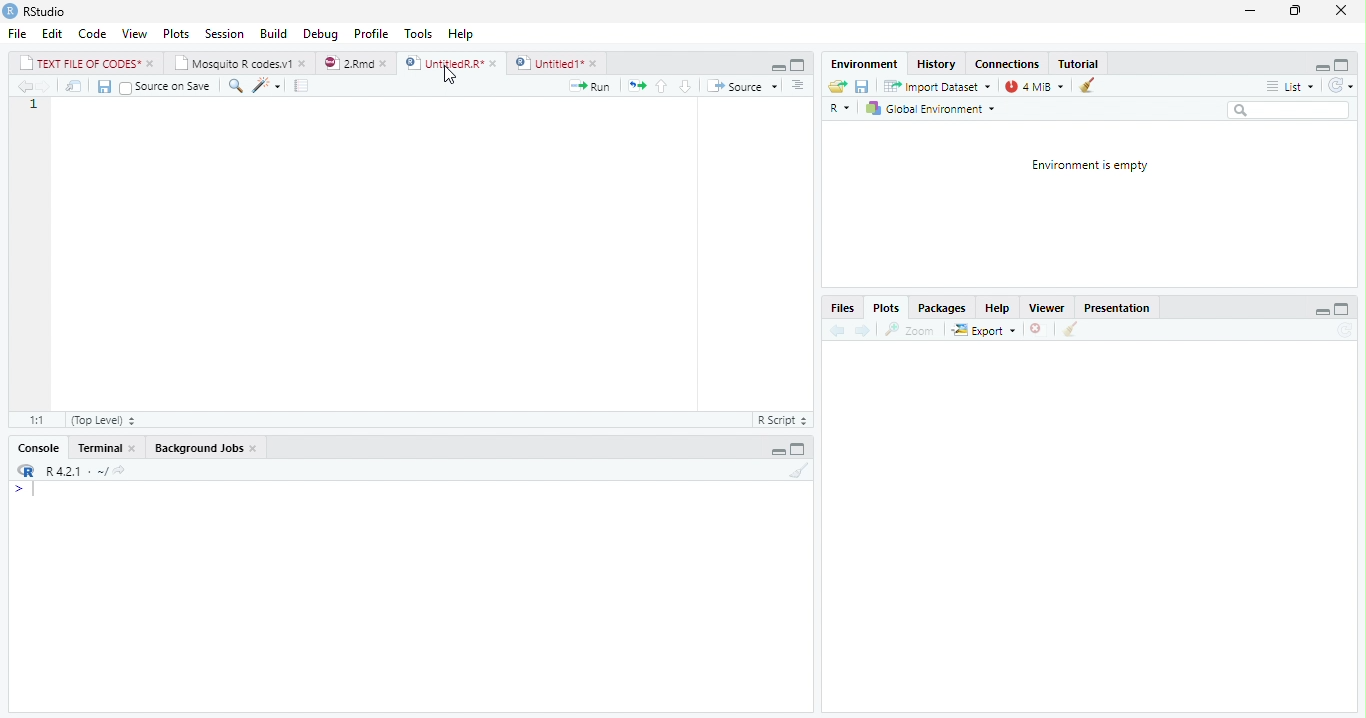 The height and width of the screenshot is (718, 1366). I want to click on refresh, so click(1347, 87).